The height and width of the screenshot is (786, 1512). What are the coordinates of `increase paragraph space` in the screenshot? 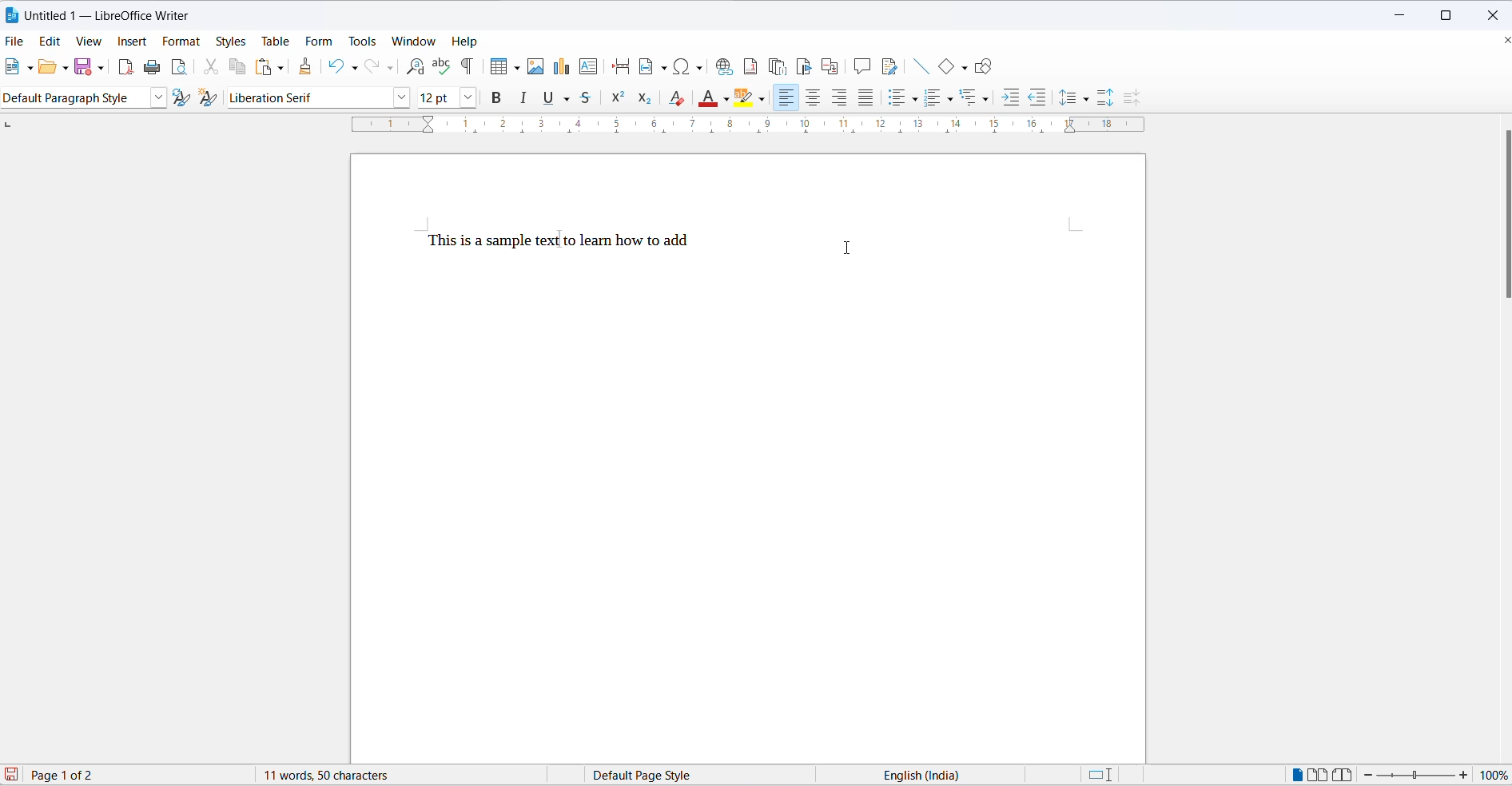 It's located at (1112, 100).